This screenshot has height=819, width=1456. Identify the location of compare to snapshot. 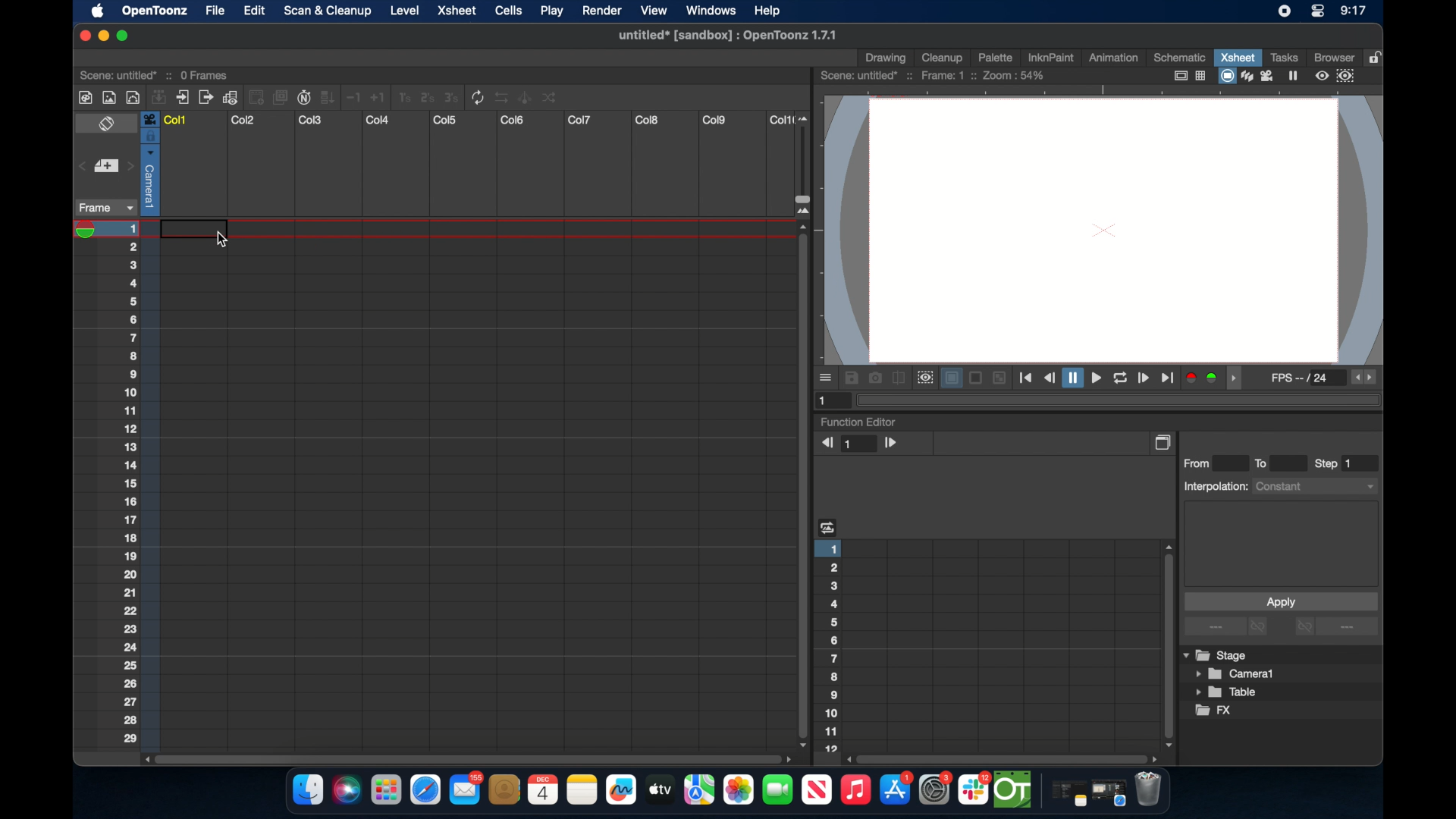
(899, 378).